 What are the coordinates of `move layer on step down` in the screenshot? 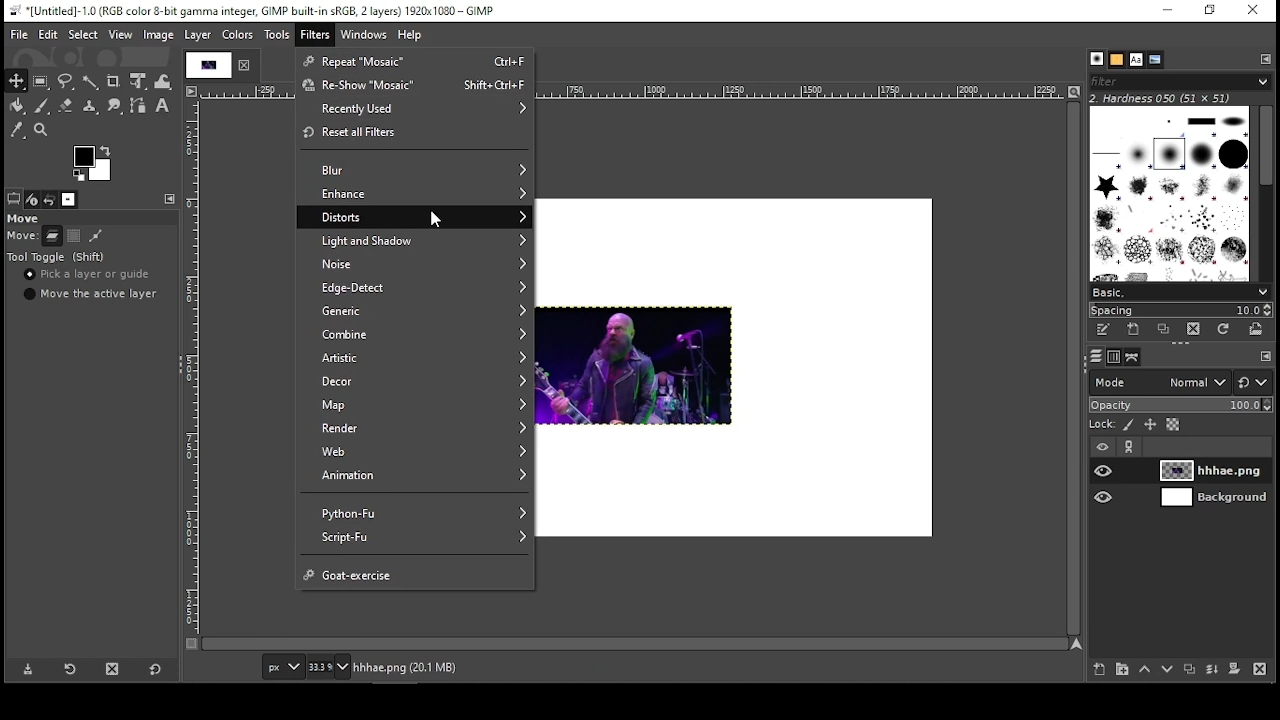 It's located at (1167, 670).